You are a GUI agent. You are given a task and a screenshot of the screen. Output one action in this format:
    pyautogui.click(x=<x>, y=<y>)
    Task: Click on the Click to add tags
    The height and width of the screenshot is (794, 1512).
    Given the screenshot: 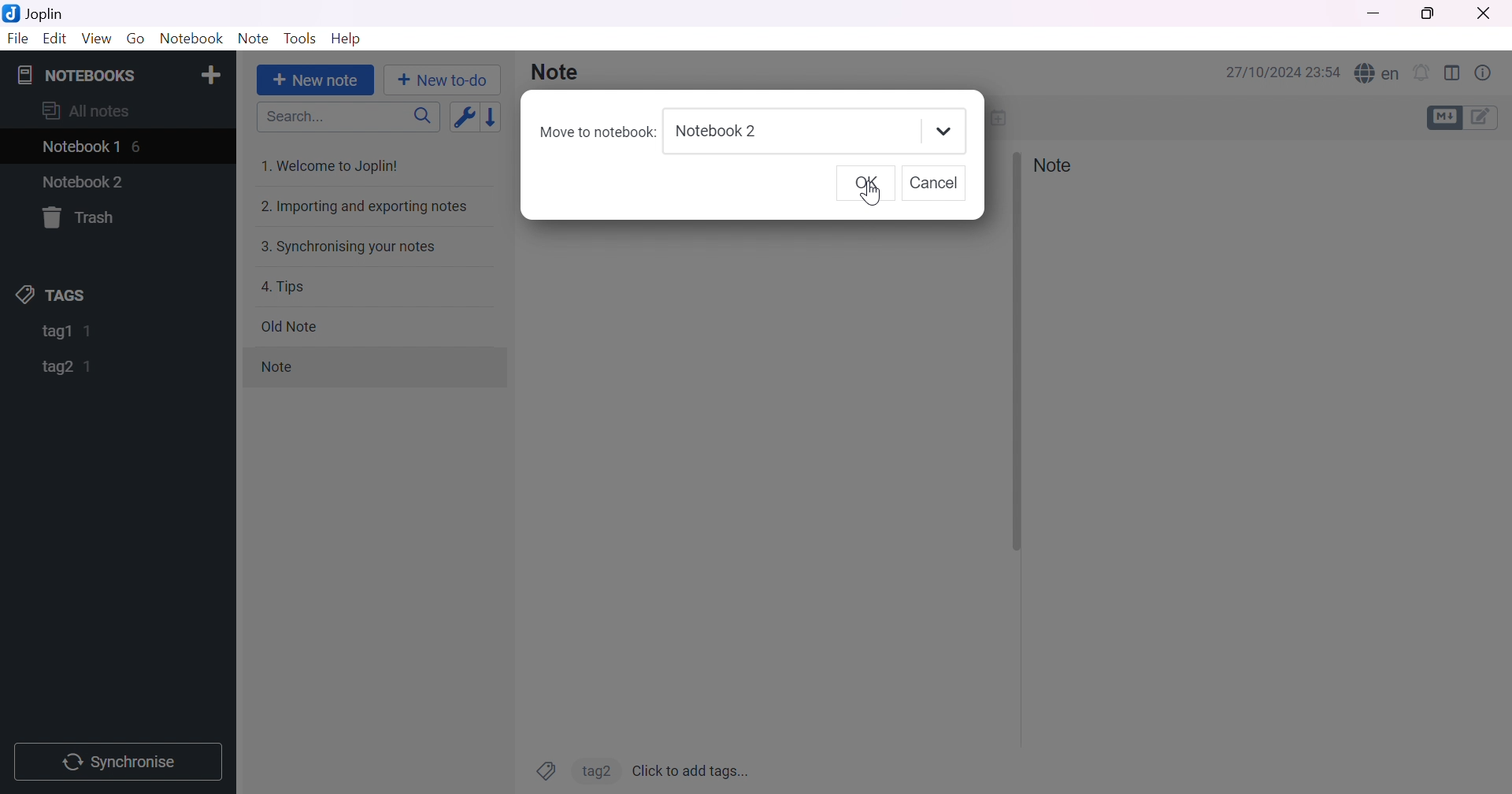 What is the action you would take?
    pyautogui.click(x=692, y=769)
    